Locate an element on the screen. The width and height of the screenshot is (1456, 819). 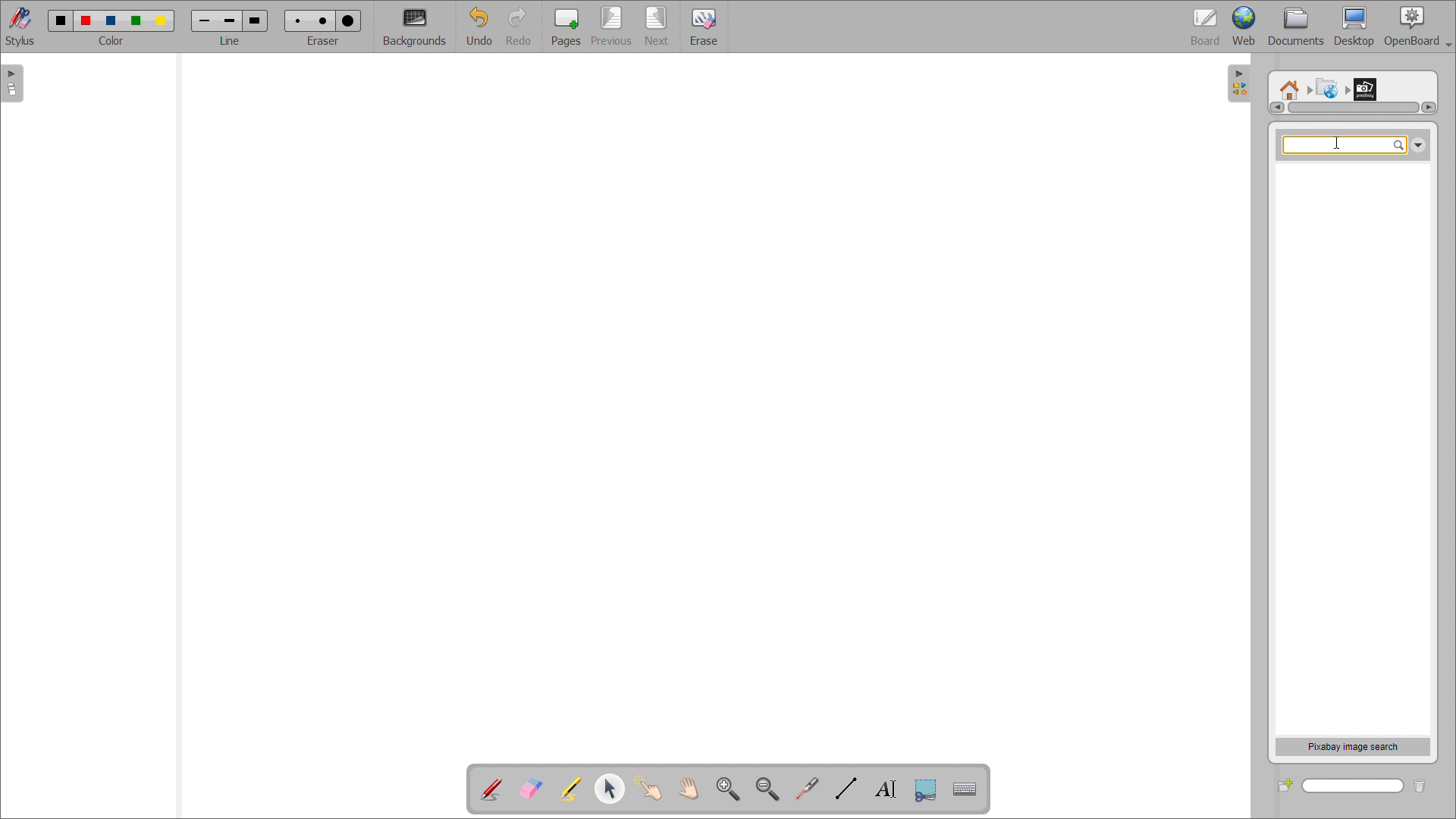
undo is located at coordinates (479, 27).